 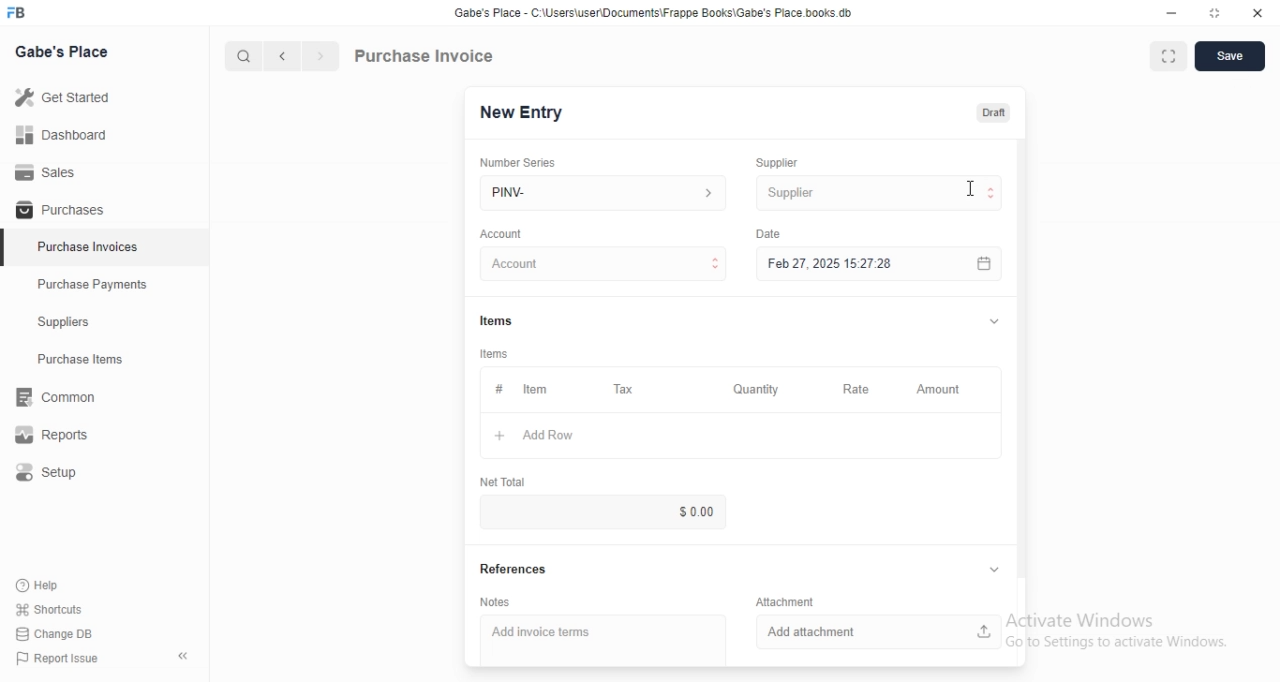 I want to click on Change DB, so click(x=54, y=634).